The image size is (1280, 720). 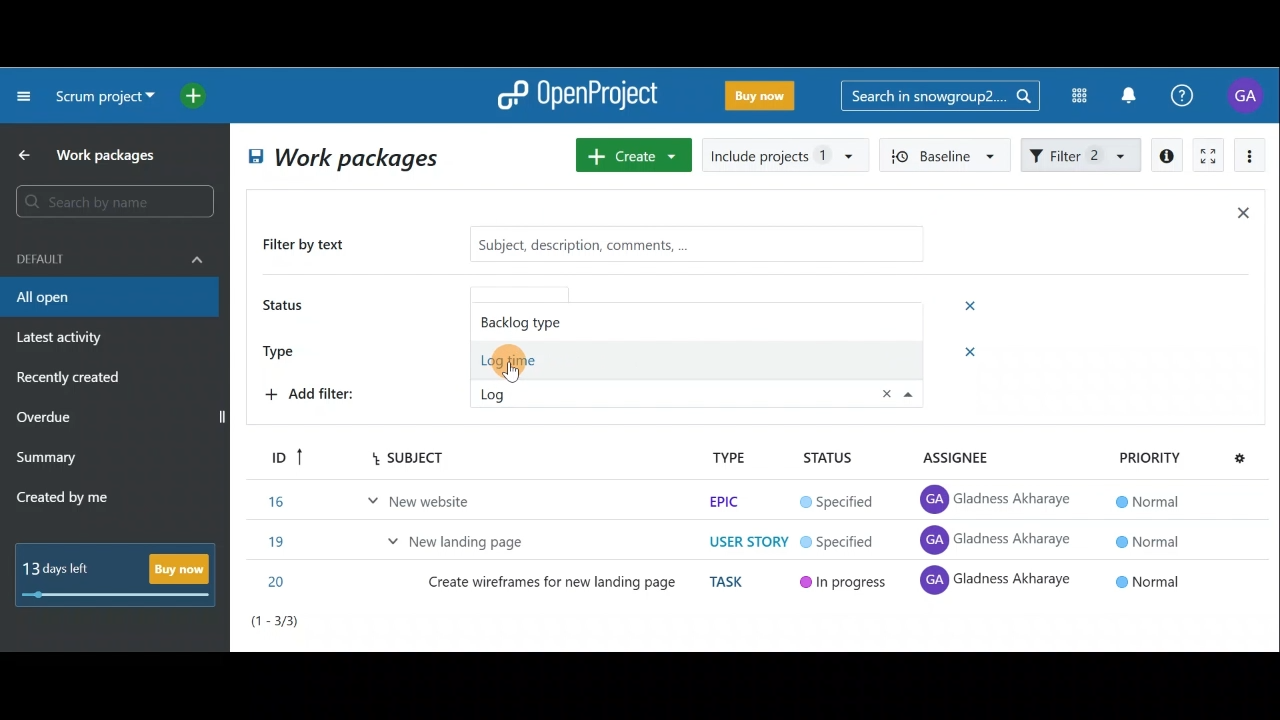 I want to click on subject, description, comments, so click(x=682, y=243).